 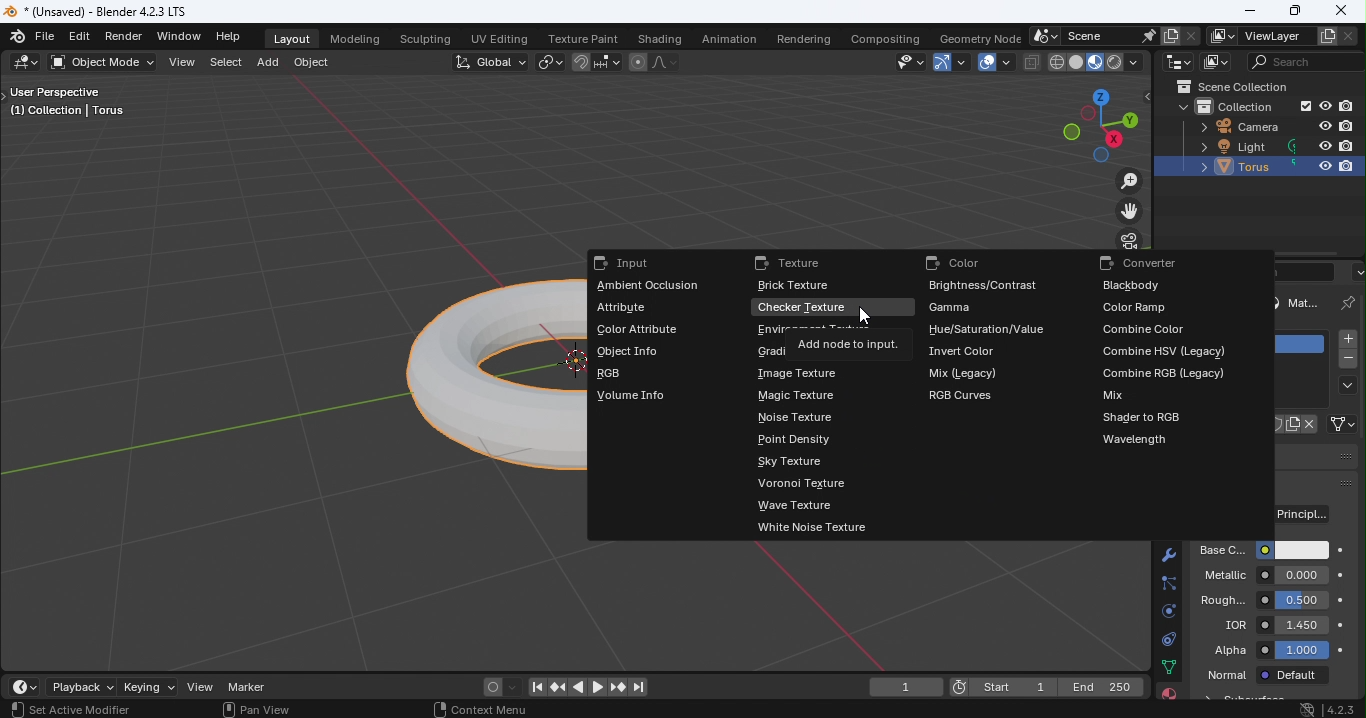 What do you see at coordinates (481, 709) in the screenshot?
I see `Context menu` at bounding box center [481, 709].